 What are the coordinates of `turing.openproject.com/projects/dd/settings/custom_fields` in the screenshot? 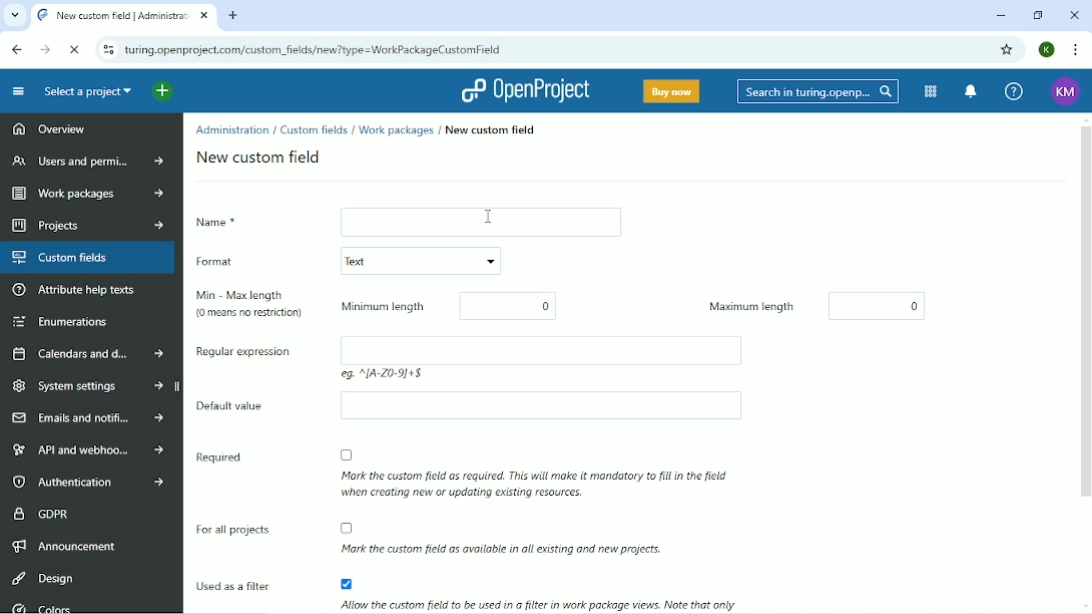 It's located at (317, 51).